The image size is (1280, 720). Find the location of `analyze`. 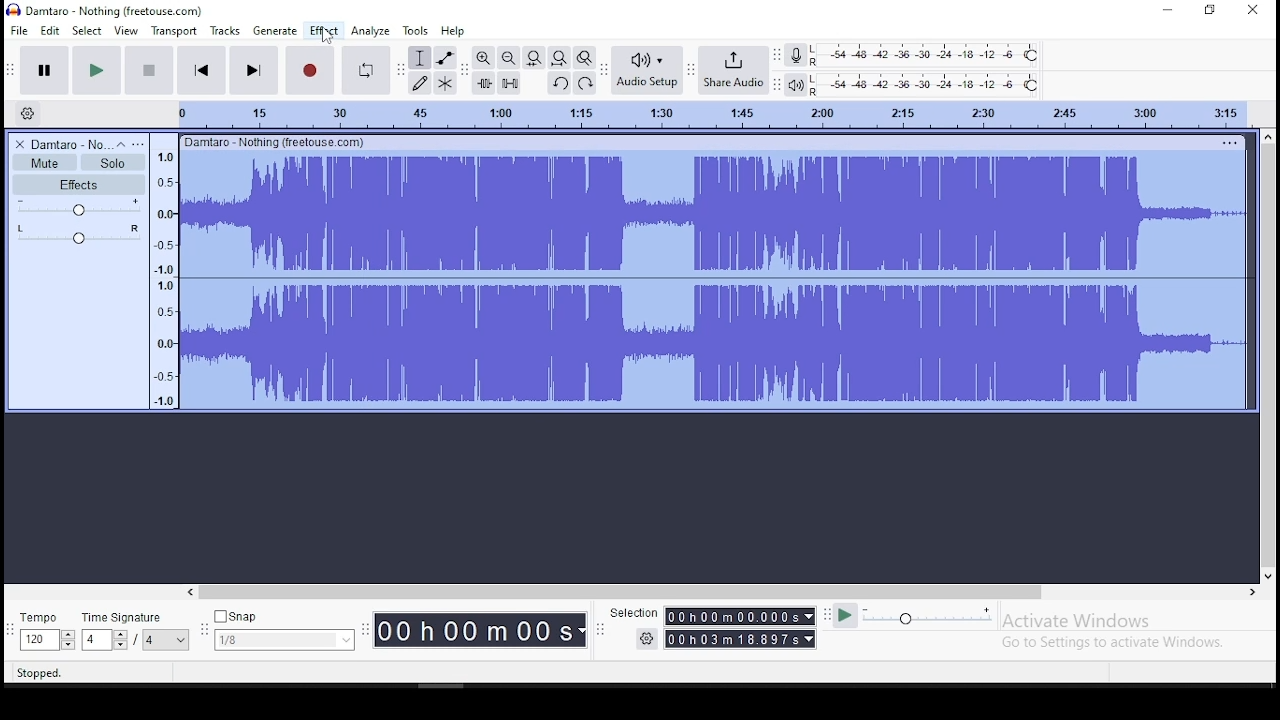

analyze is located at coordinates (370, 32).